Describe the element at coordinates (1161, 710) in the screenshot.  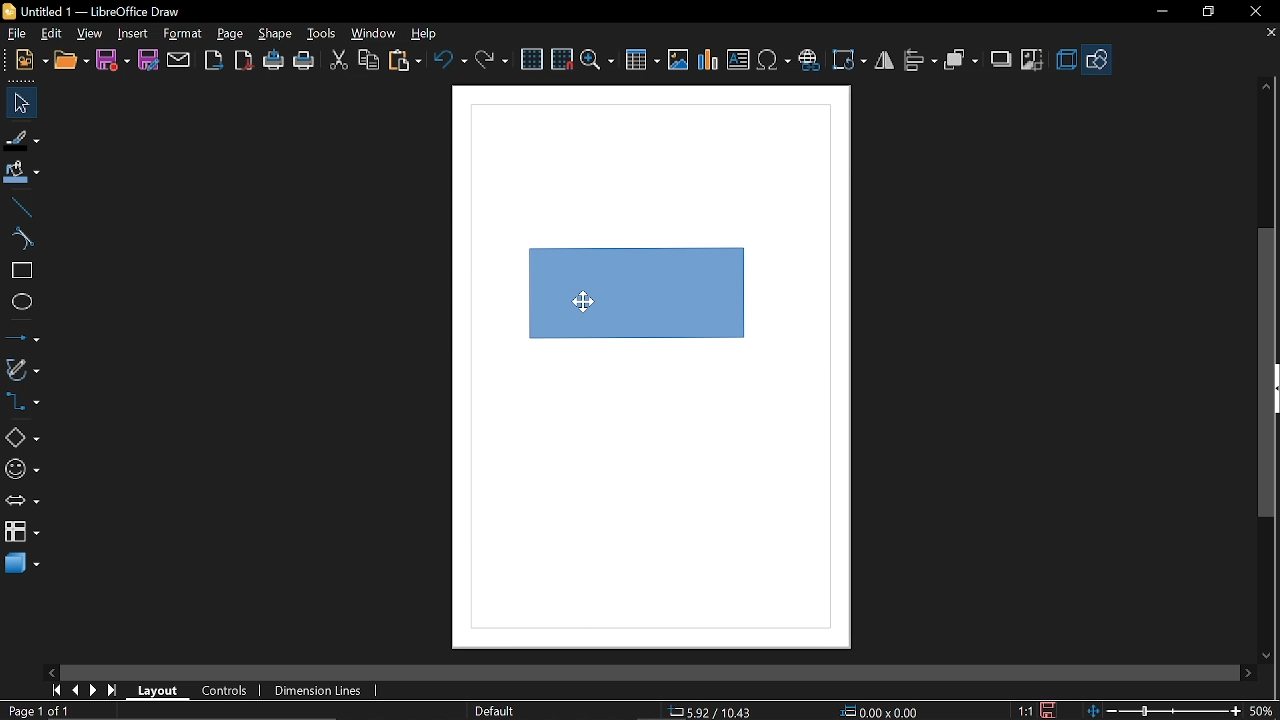
I see `Change zoom` at that location.